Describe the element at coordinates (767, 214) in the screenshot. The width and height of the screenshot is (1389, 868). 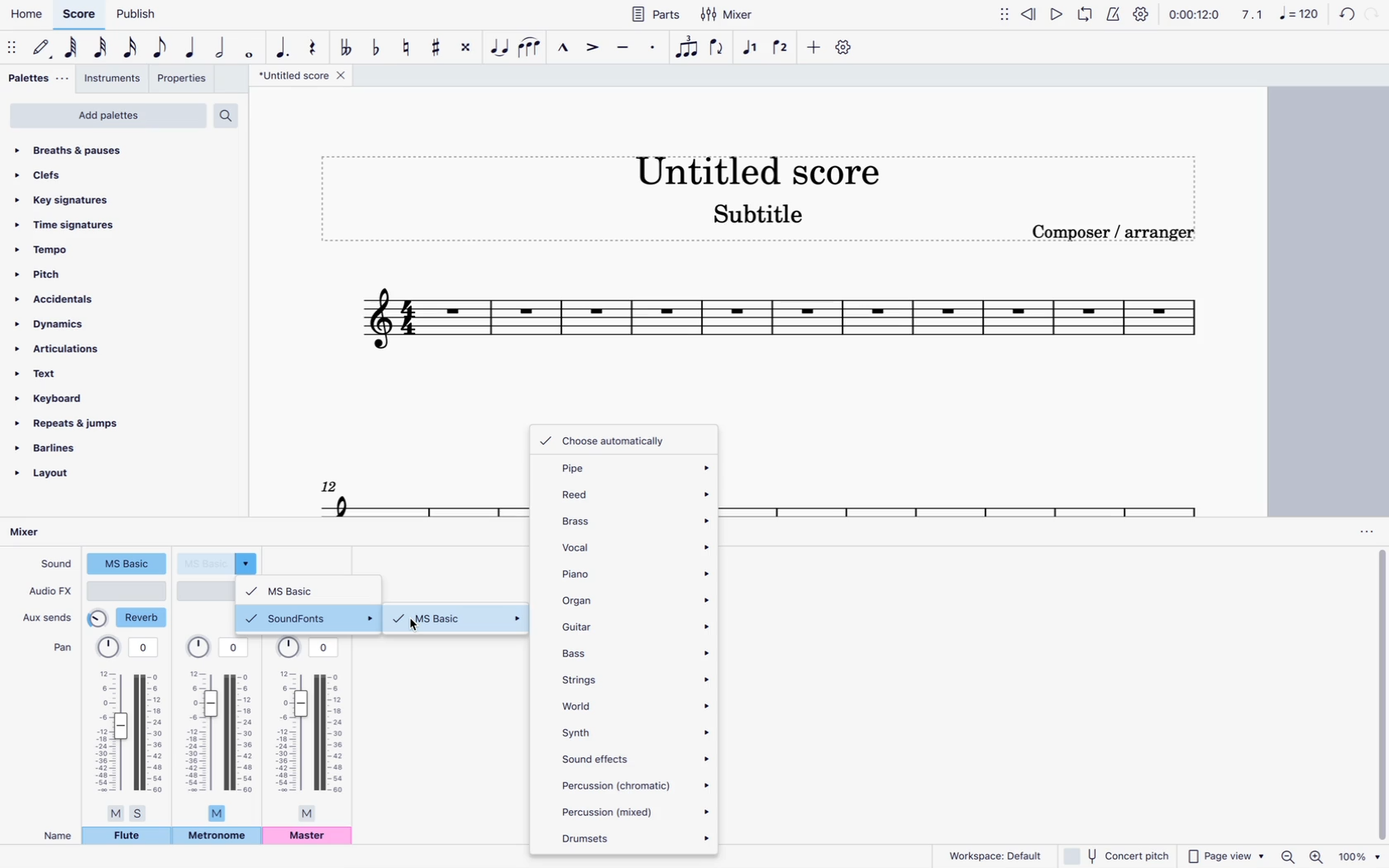
I see `score subtitle` at that location.